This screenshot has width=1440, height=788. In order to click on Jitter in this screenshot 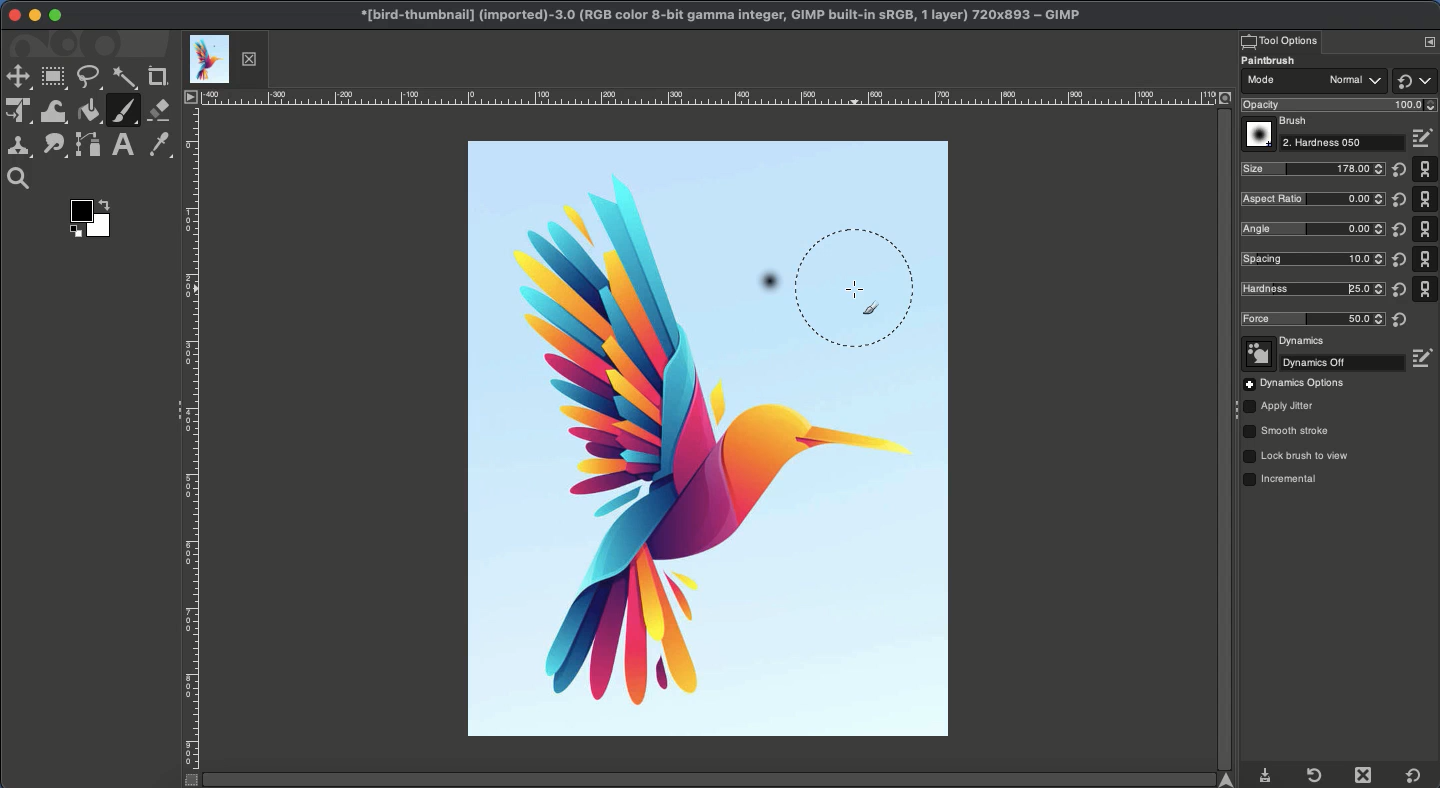, I will do `click(1279, 408)`.